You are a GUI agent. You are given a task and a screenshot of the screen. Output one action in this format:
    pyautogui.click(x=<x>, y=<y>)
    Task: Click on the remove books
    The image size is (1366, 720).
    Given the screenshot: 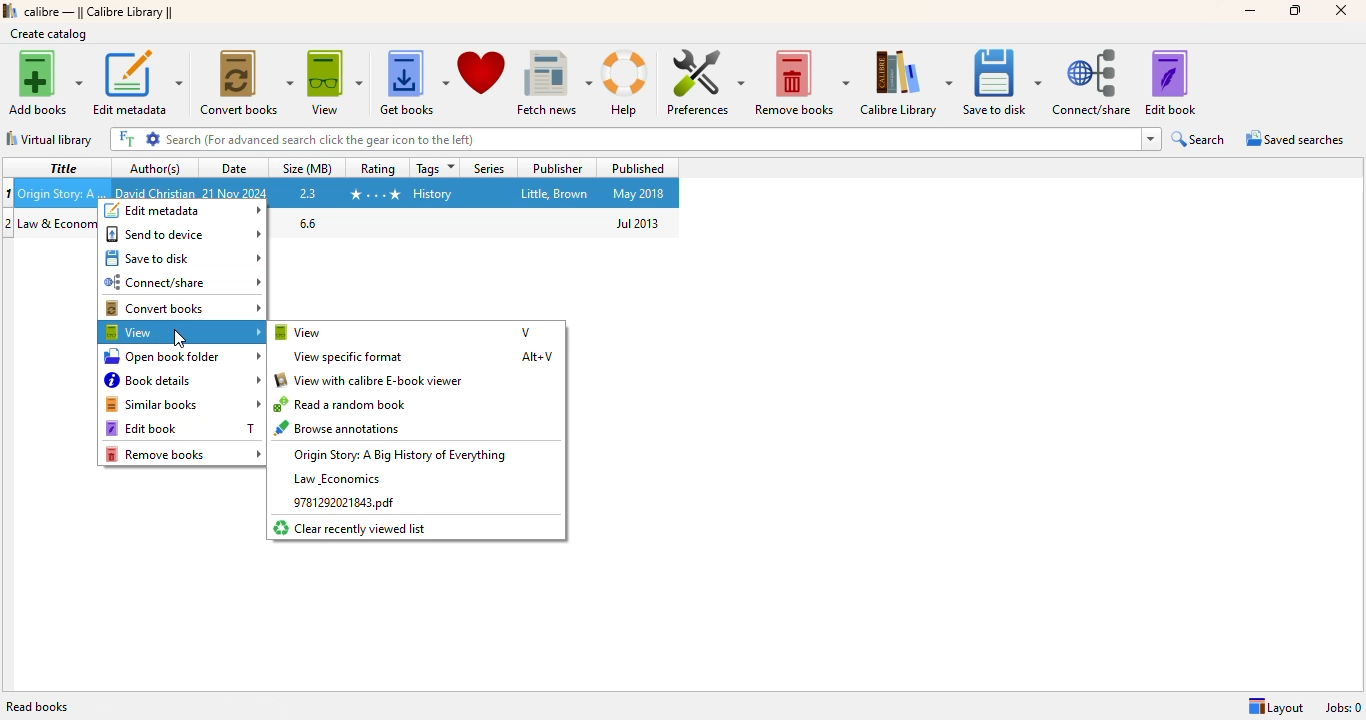 What is the action you would take?
    pyautogui.click(x=801, y=83)
    